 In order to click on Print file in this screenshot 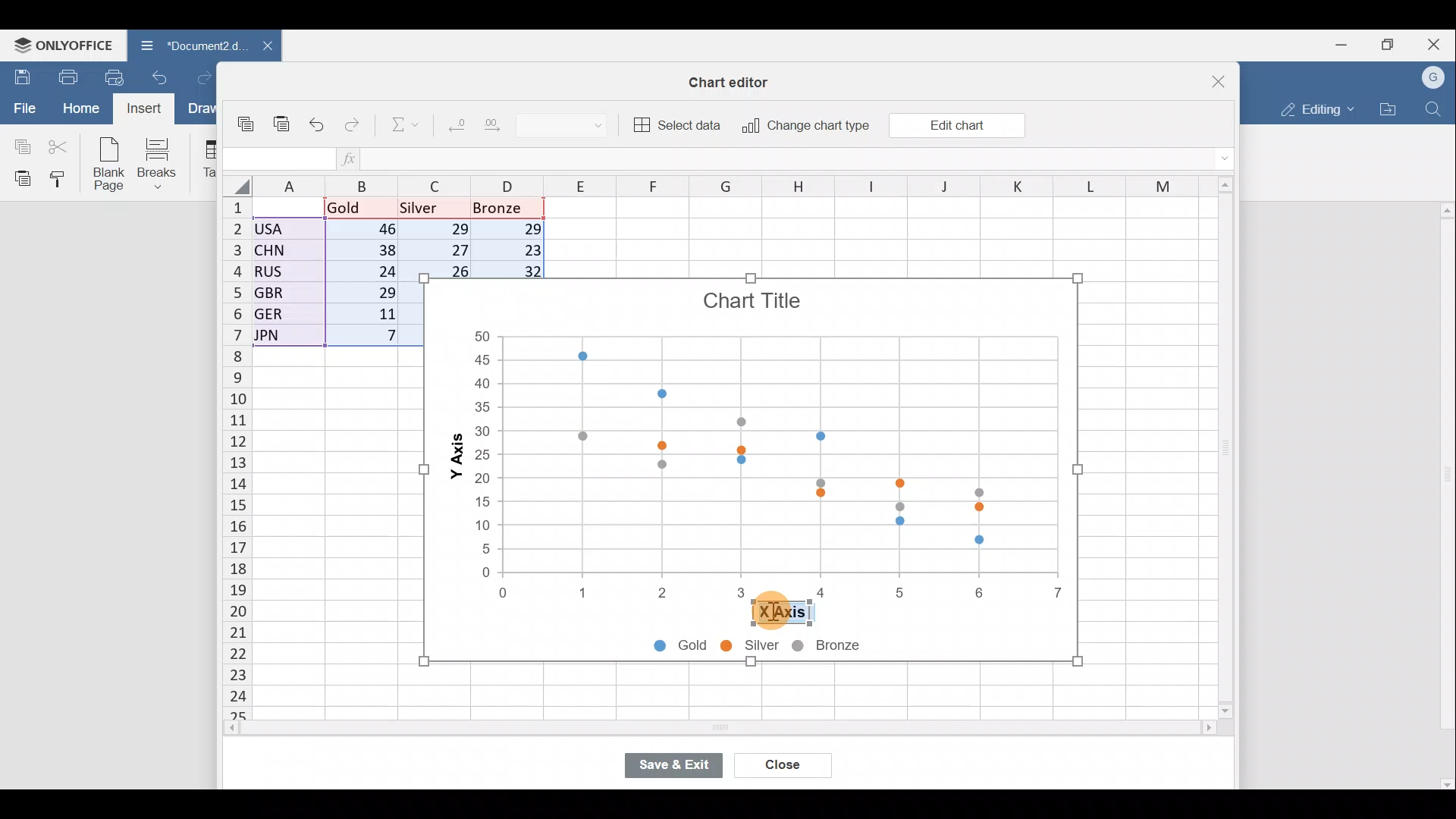, I will do `click(62, 76)`.